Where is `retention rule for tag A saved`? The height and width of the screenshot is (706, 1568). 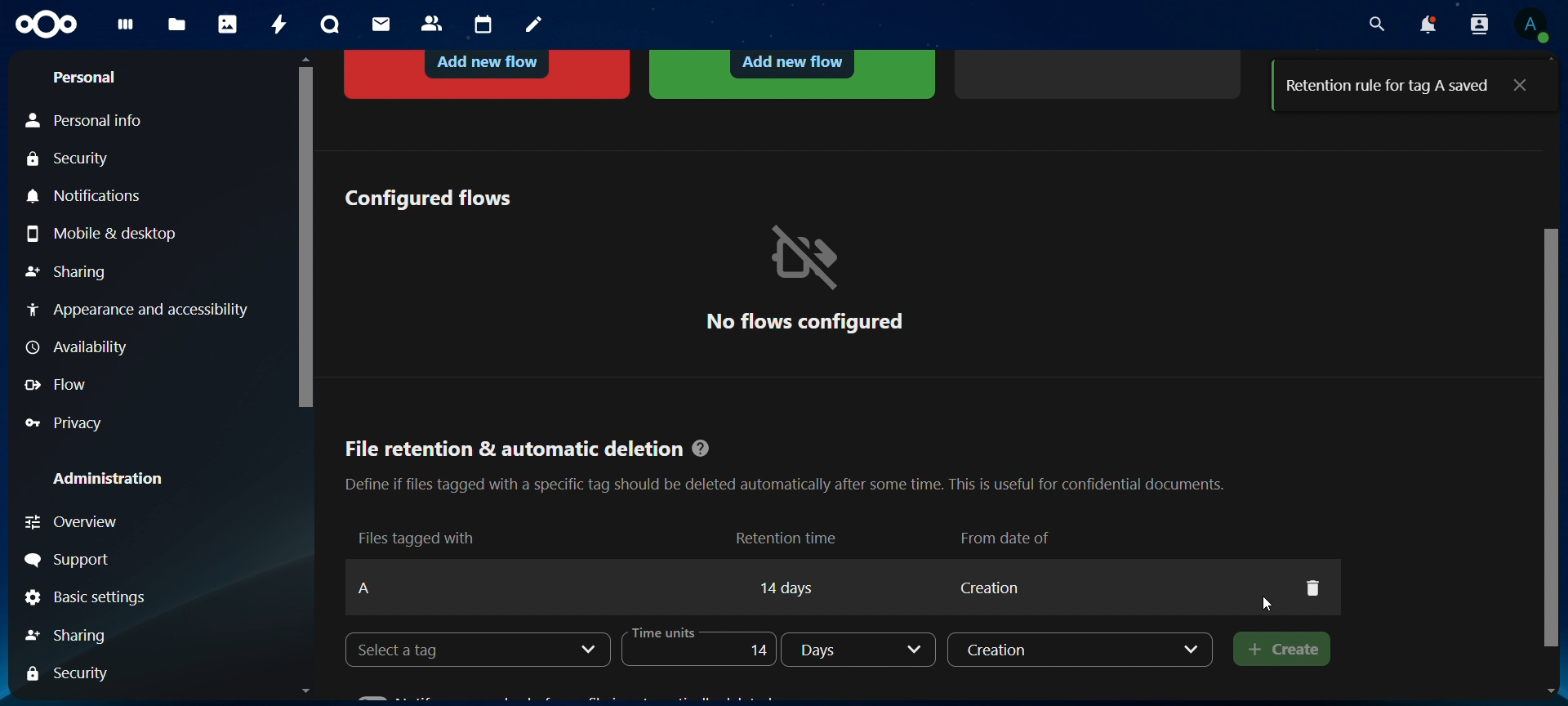
retention rule for tag A saved is located at coordinates (1388, 87).